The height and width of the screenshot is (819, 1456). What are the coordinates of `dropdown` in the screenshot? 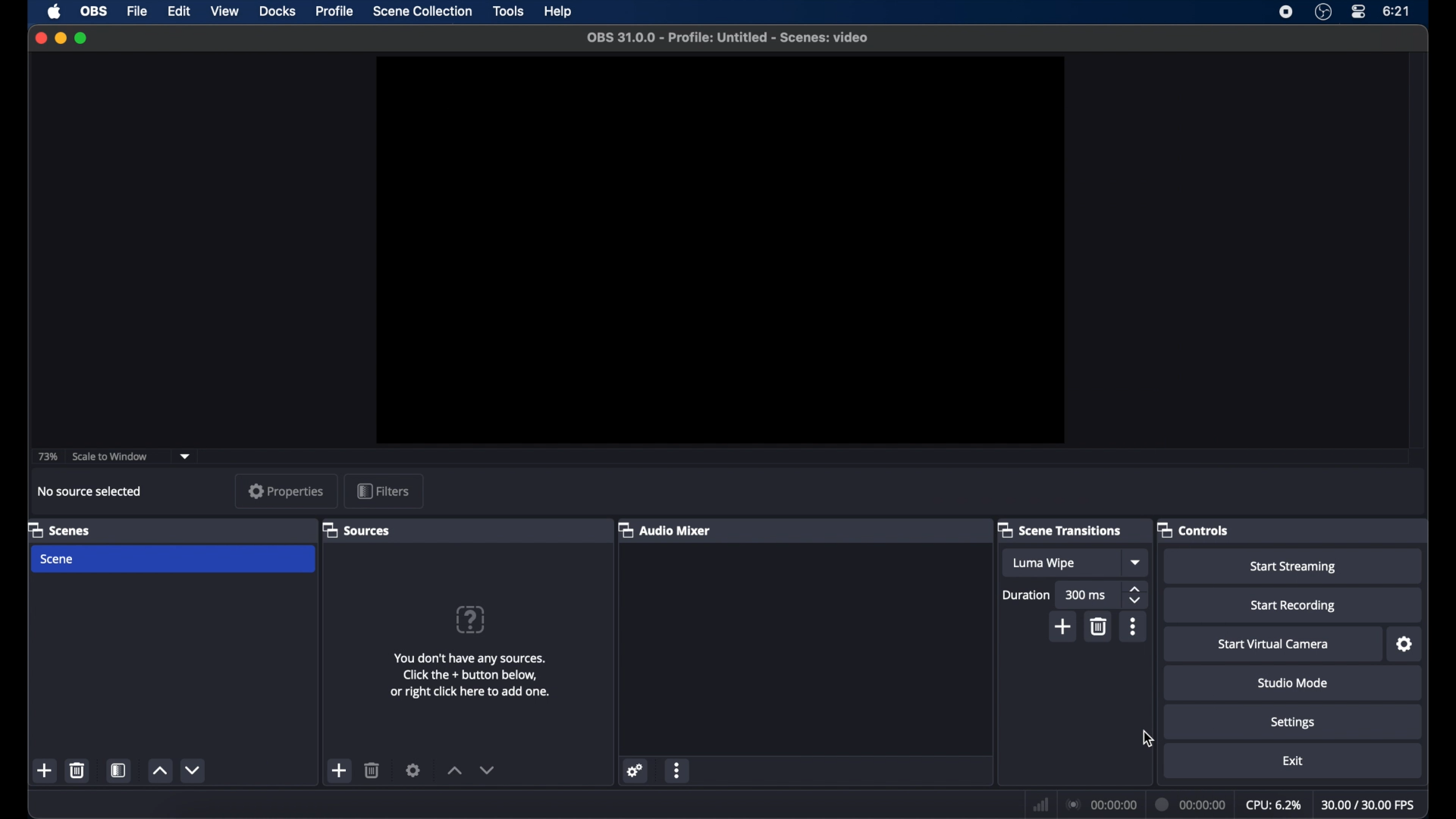 It's located at (186, 457).